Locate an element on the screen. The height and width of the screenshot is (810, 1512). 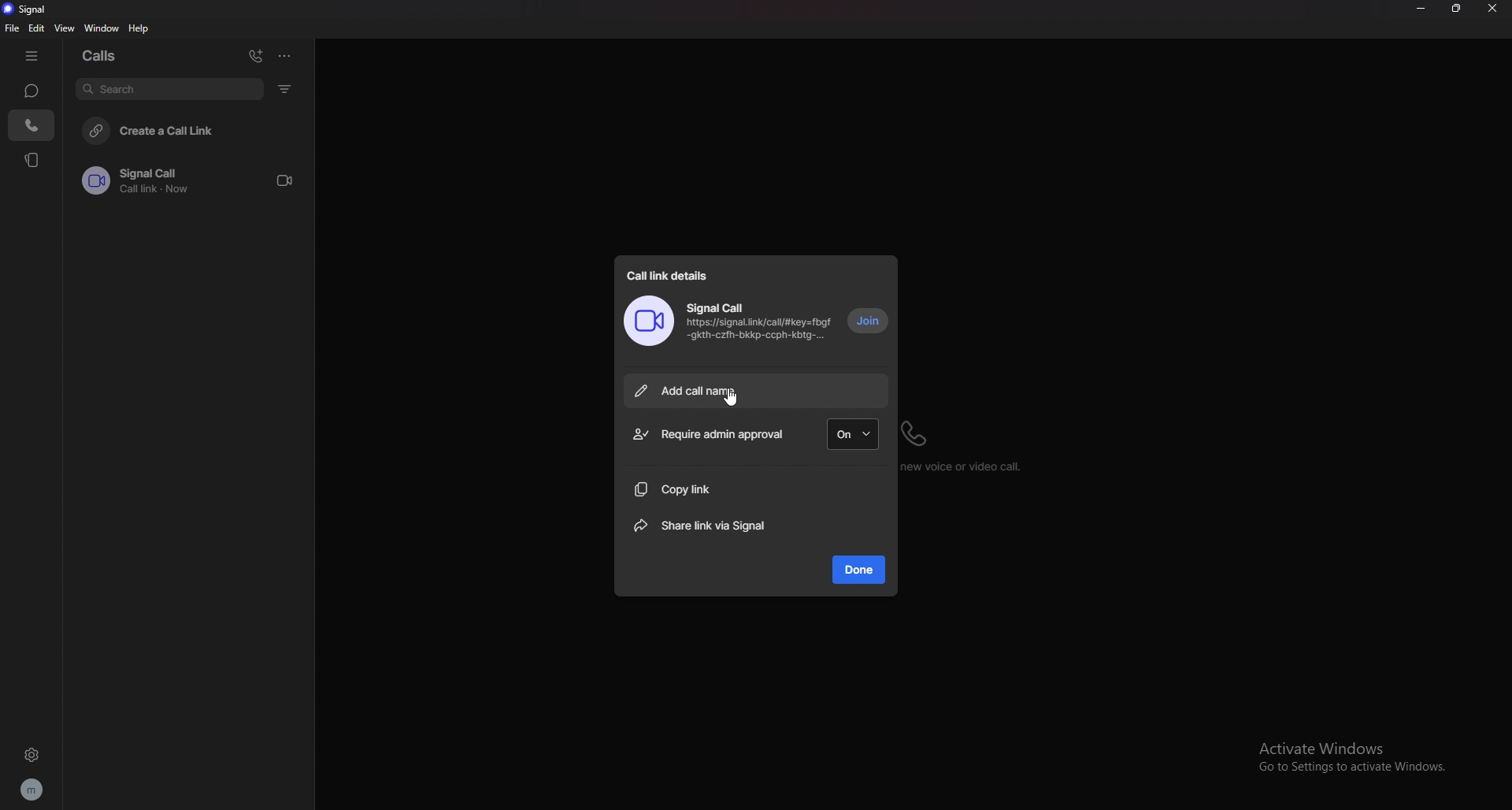
share link via signal is located at coordinates (708, 526).